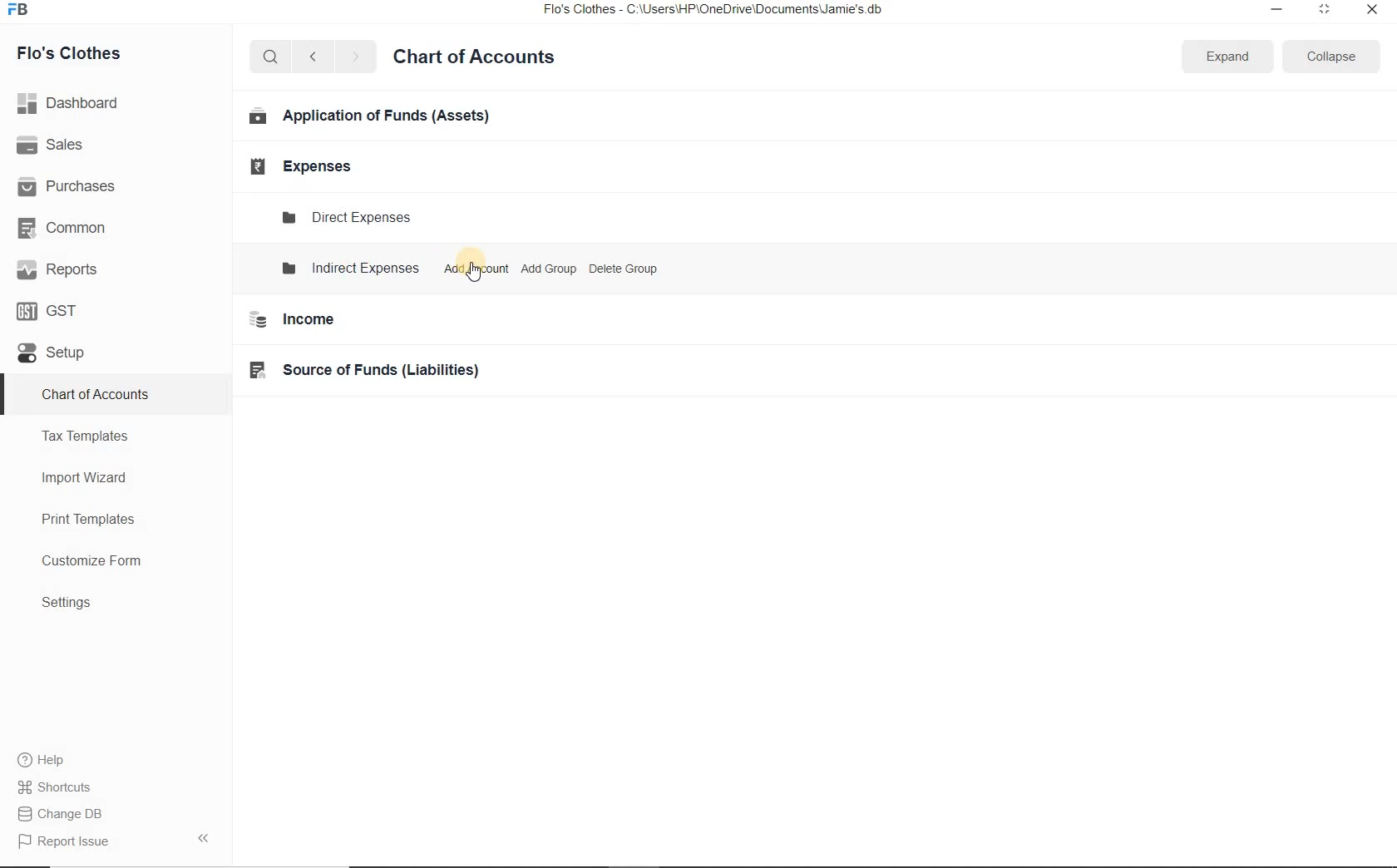 The image size is (1397, 868). I want to click on Dashboard, so click(72, 101).